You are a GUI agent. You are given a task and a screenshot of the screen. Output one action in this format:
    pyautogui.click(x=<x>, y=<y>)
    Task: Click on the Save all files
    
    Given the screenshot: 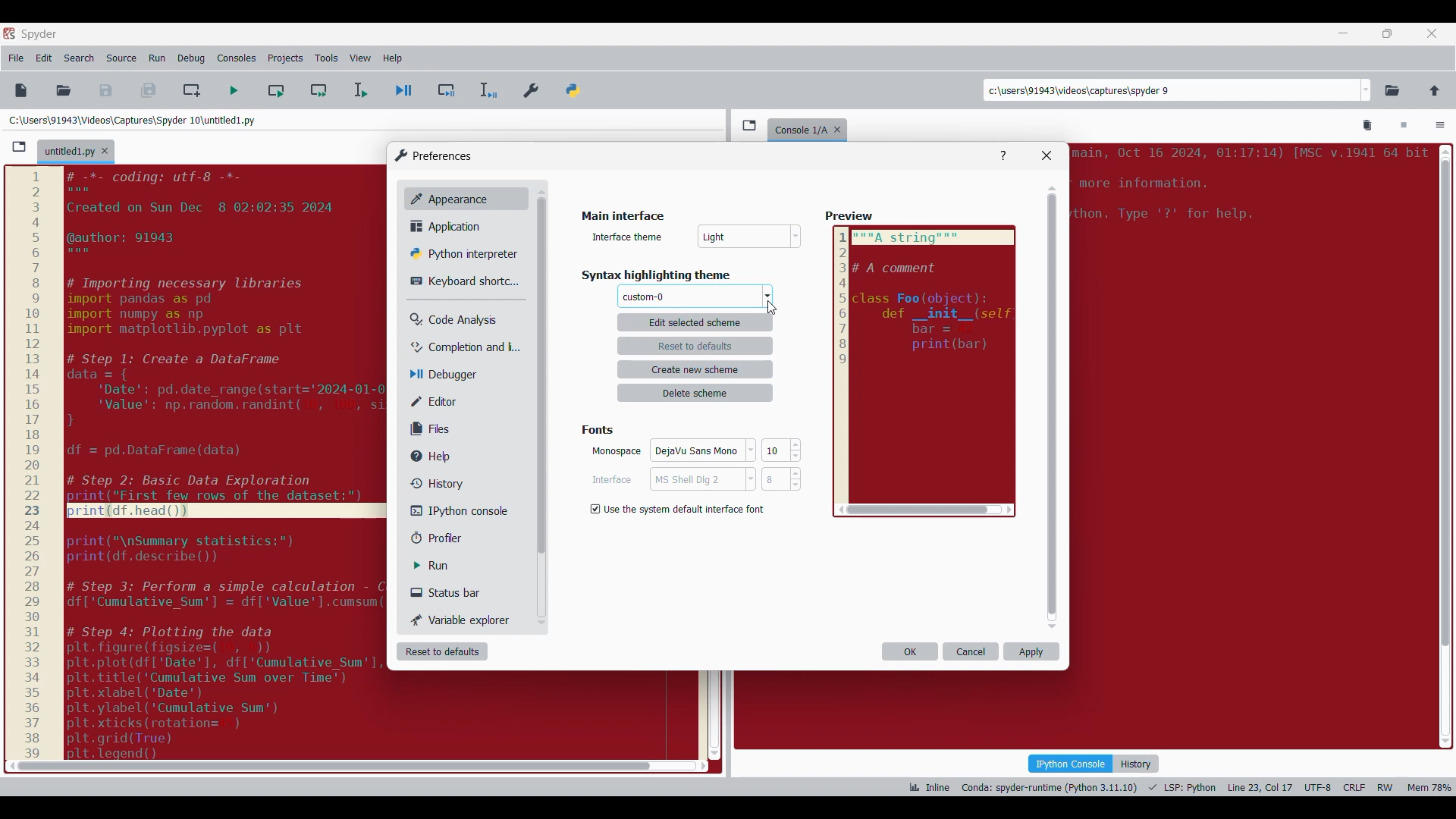 What is the action you would take?
    pyautogui.click(x=148, y=90)
    